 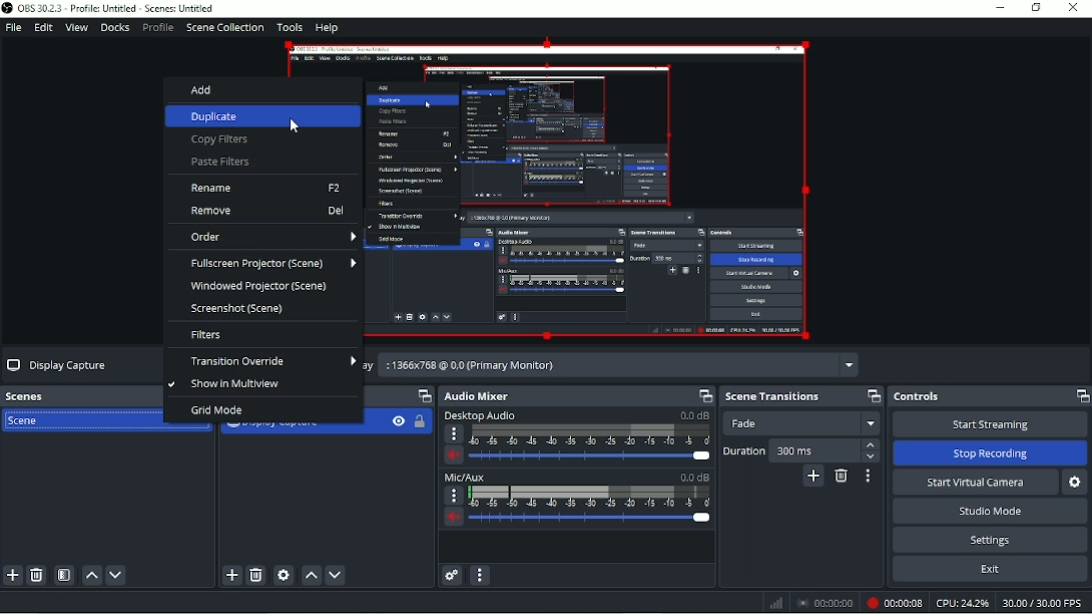 What do you see at coordinates (114, 28) in the screenshot?
I see `Docks` at bounding box center [114, 28].